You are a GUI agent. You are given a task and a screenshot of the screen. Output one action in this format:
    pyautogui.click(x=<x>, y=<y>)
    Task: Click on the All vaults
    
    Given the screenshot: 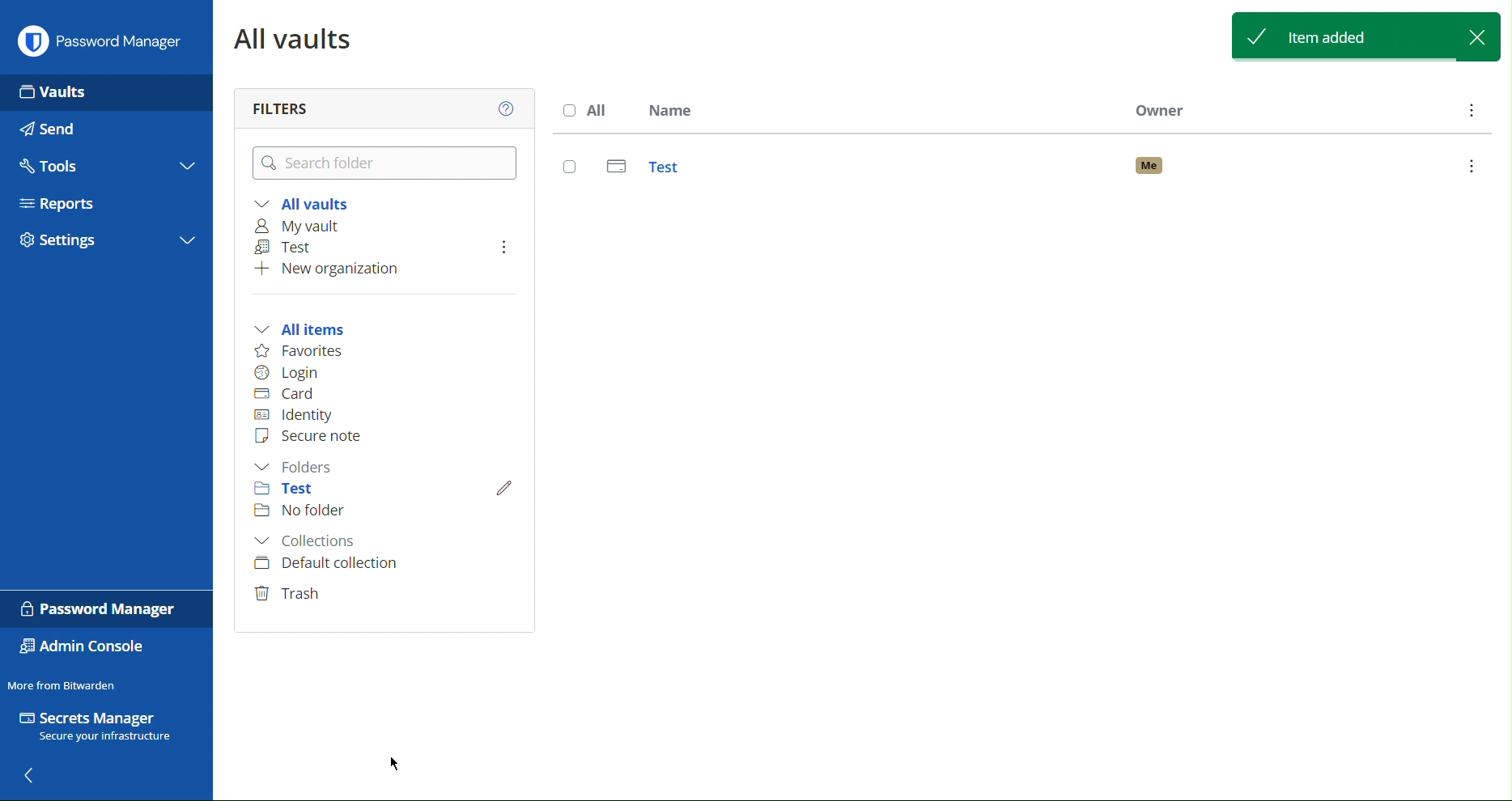 What is the action you would take?
    pyautogui.click(x=293, y=38)
    